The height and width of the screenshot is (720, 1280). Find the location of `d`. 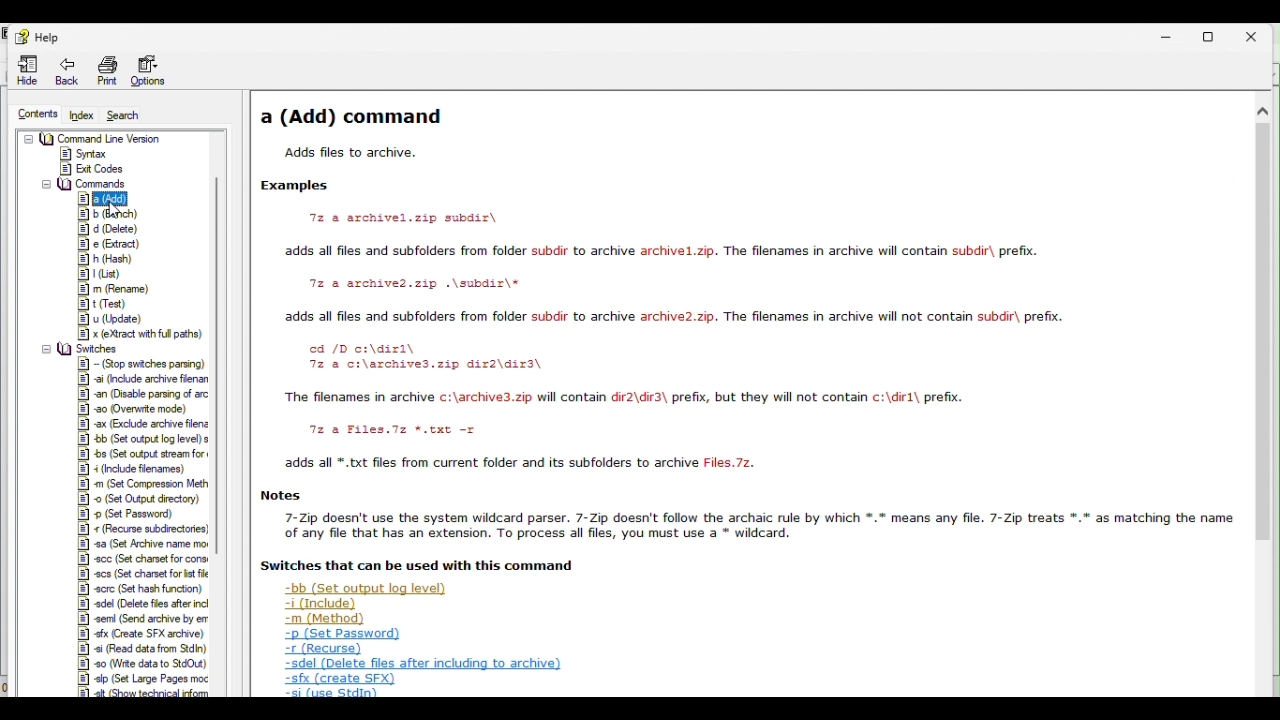

d is located at coordinates (112, 228).